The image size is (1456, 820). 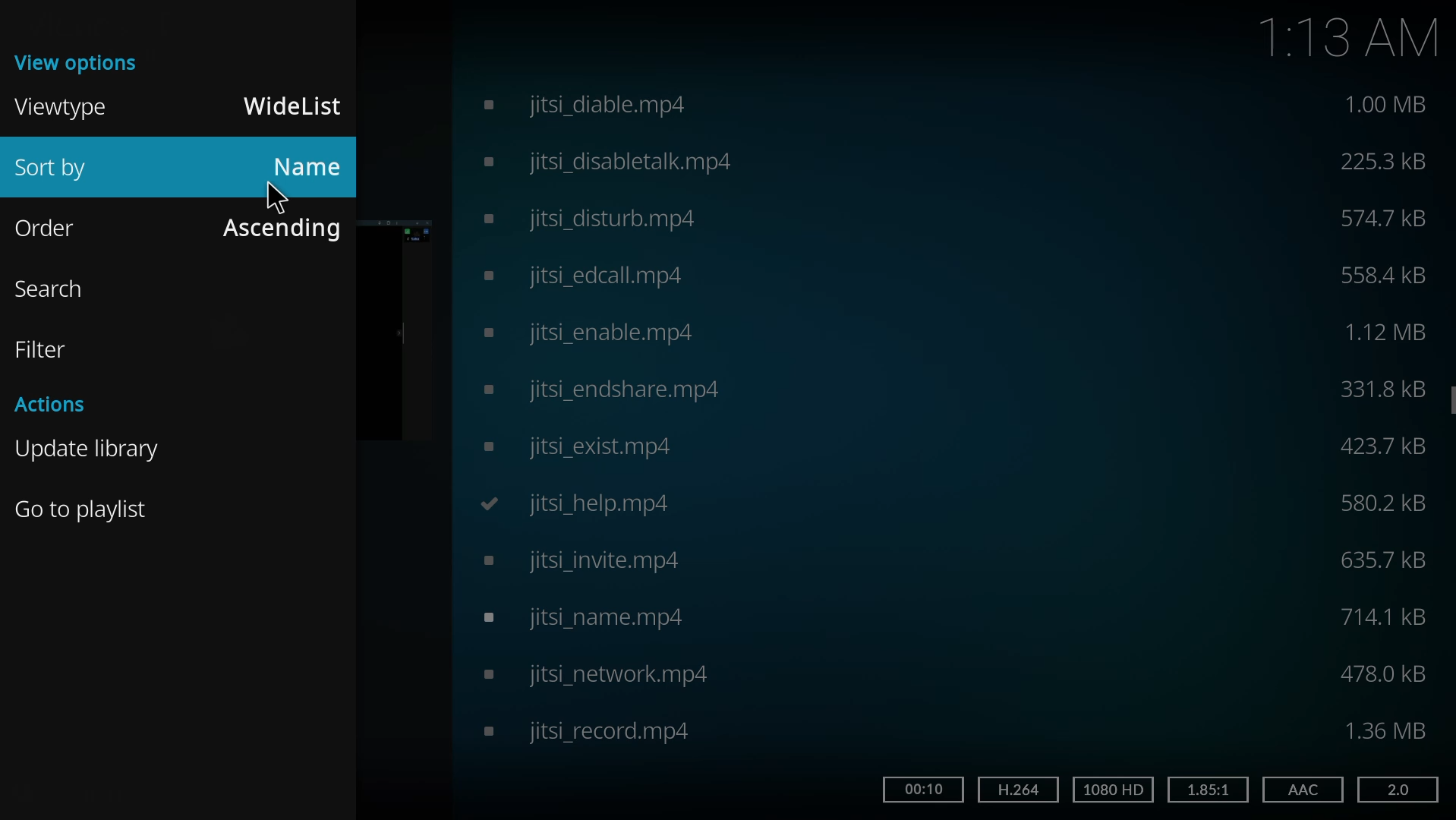 What do you see at coordinates (588, 104) in the screenshot?
I see `video` at bounding box center [588, 104].